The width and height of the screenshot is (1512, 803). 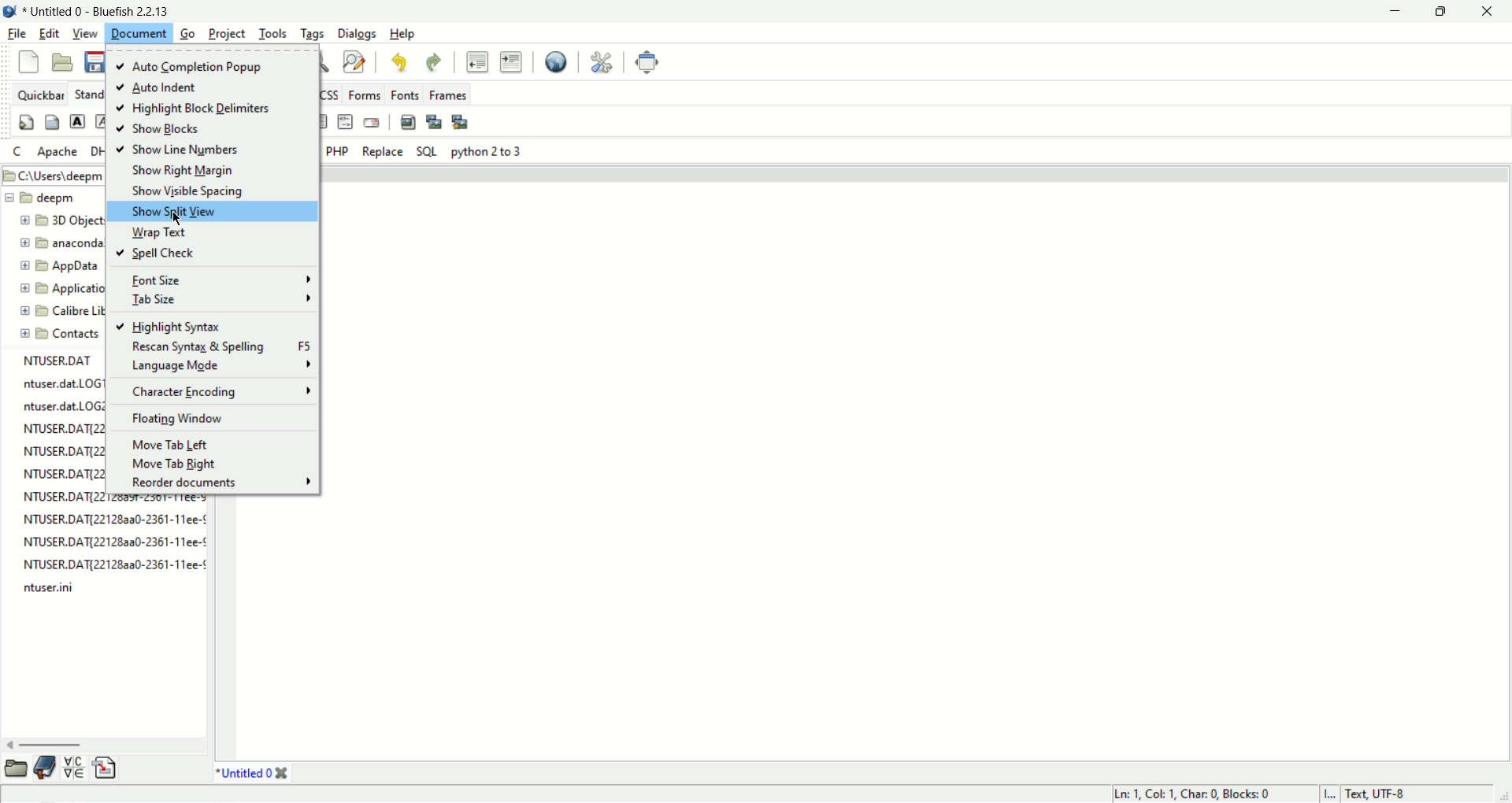 What do you see at coordinates (372, 124) in the screenshot?
I see `email` at bounding box center [372, 124].